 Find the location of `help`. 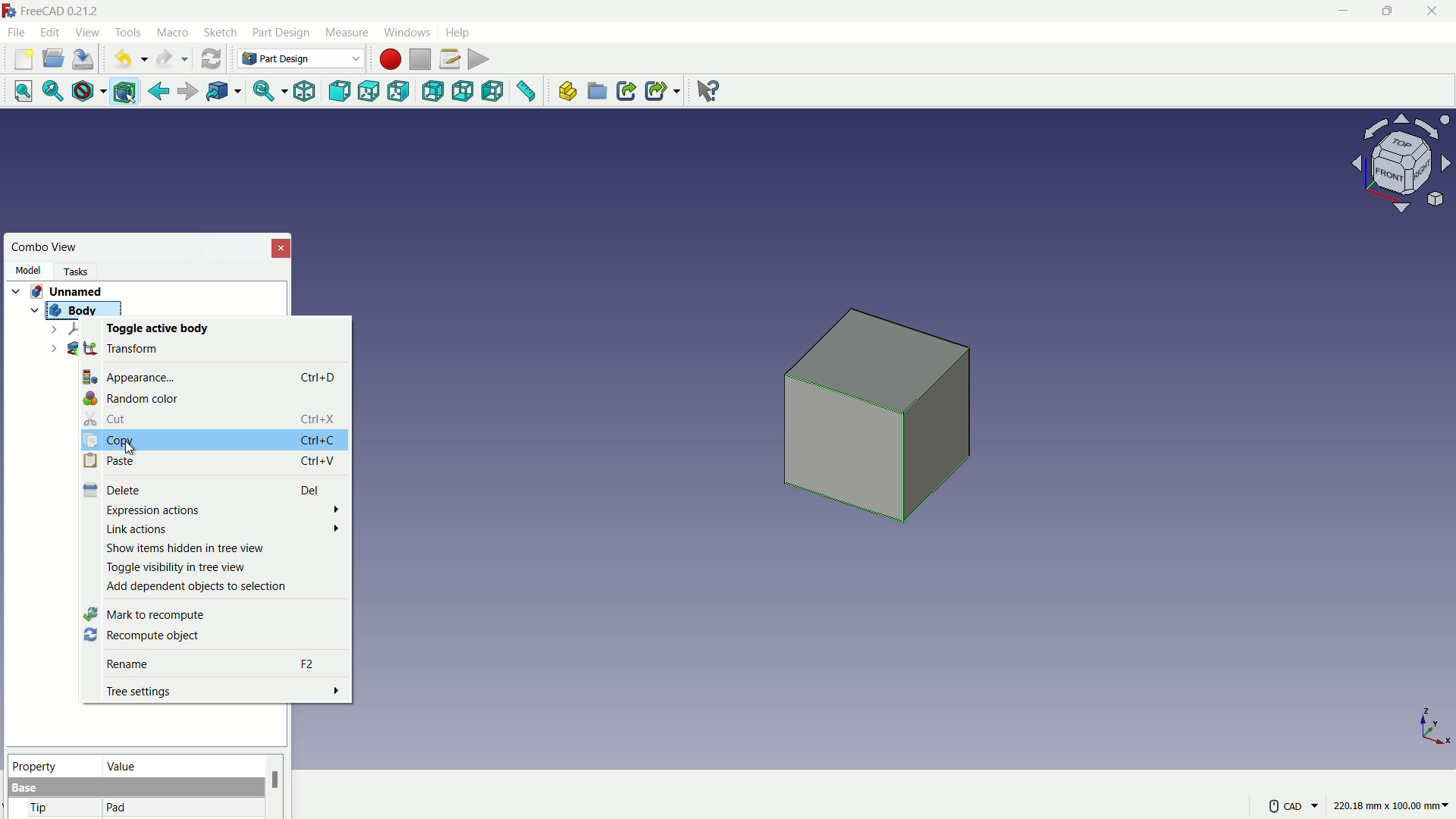

help is located at coordinates (460, 31).